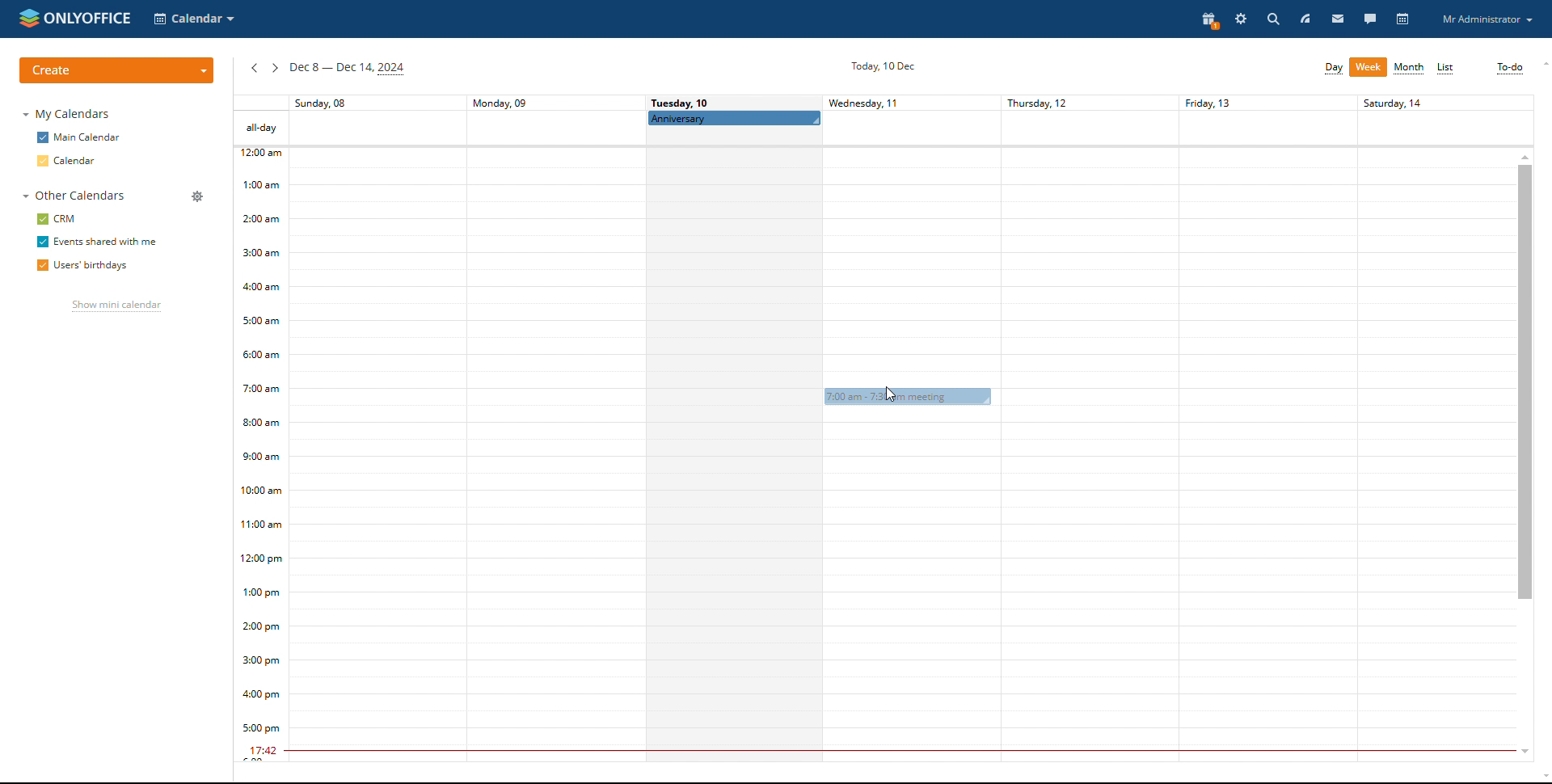  I want to click on events shared with me, so click(96, 242).